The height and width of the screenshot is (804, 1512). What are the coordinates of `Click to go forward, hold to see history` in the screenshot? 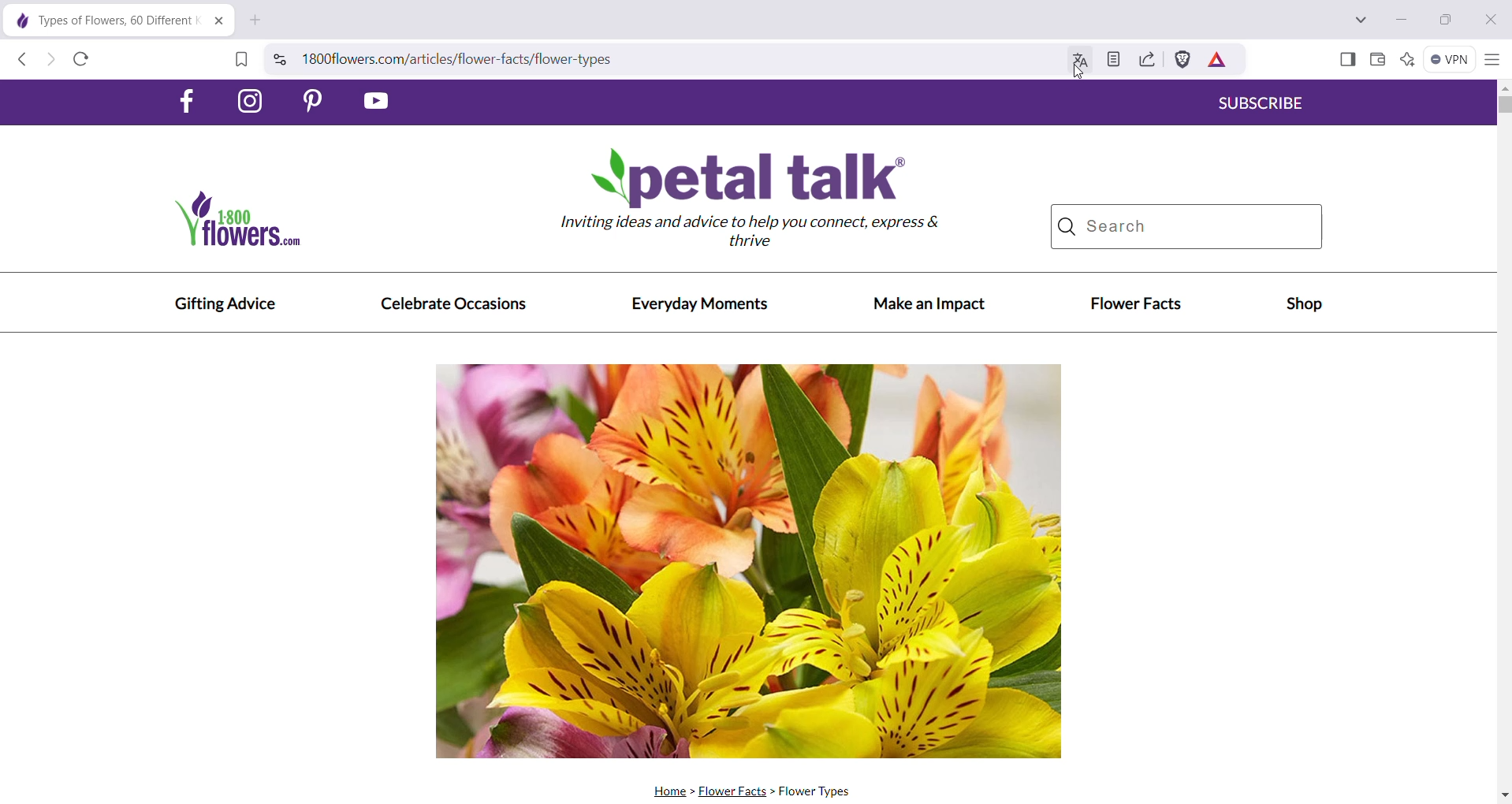 It's located at (54, 59).